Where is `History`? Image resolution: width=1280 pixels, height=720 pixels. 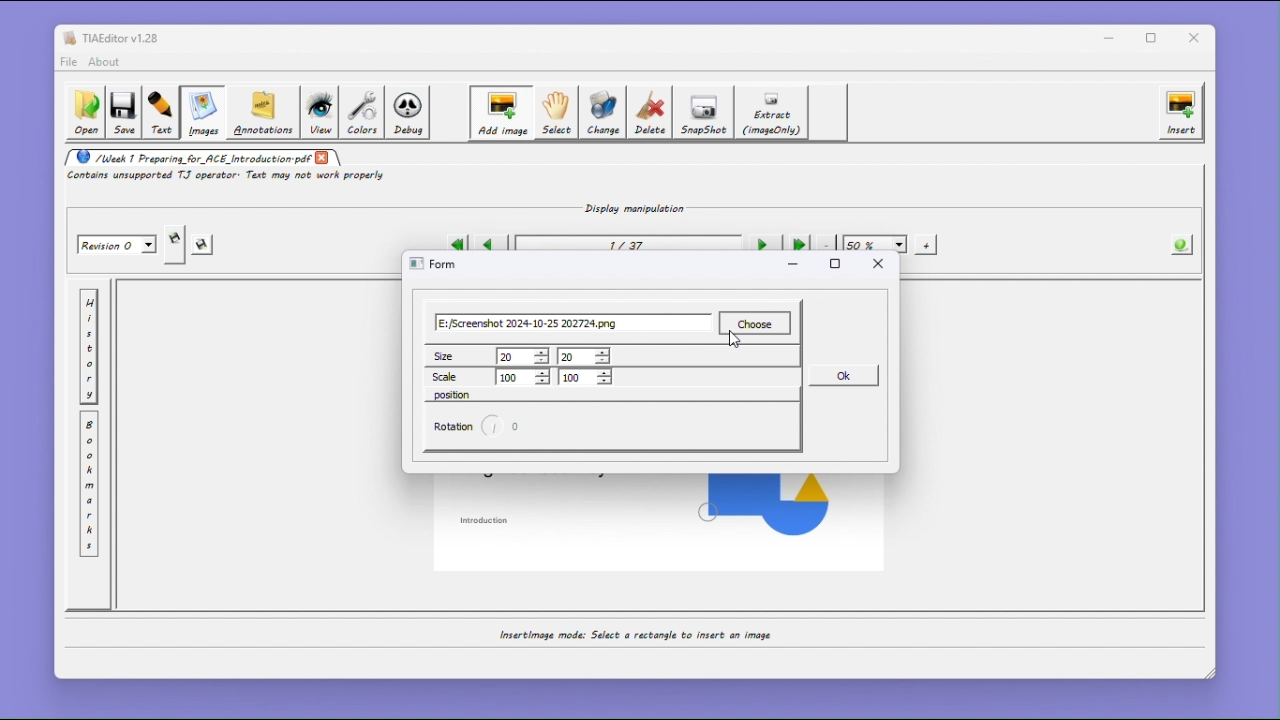
History is located at coordinates (89, 347).